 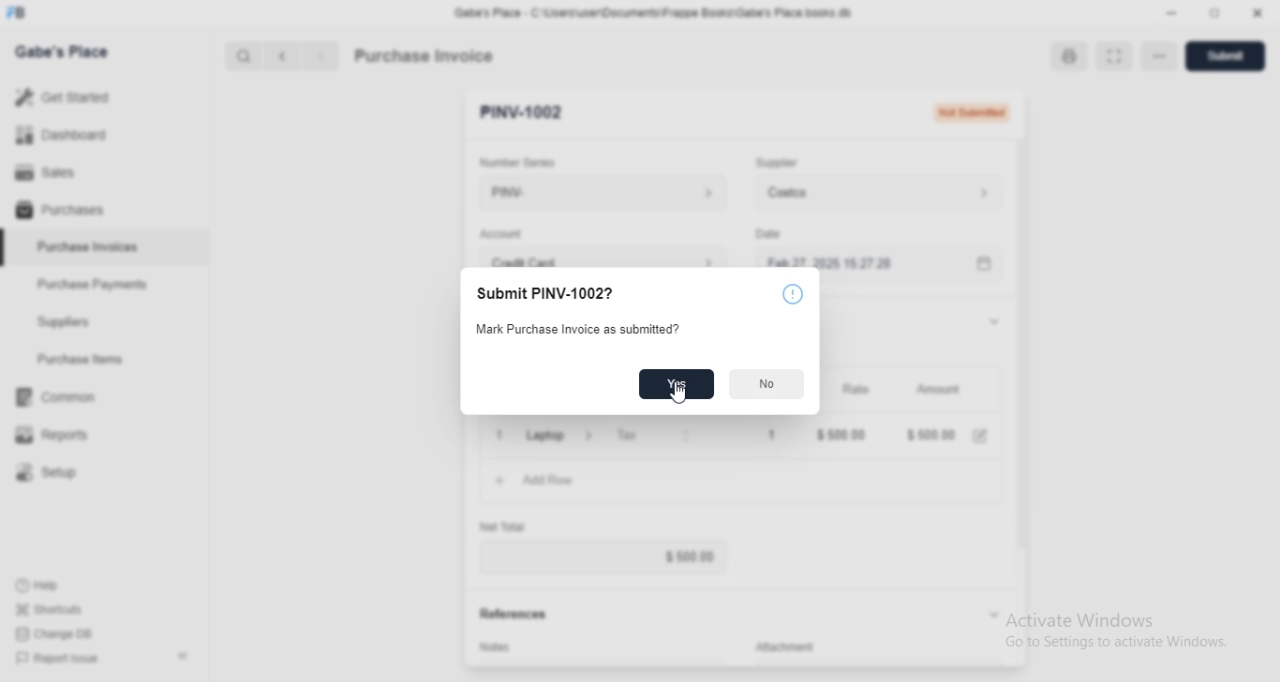 I want to click on Close, so click(x=500, y=435).